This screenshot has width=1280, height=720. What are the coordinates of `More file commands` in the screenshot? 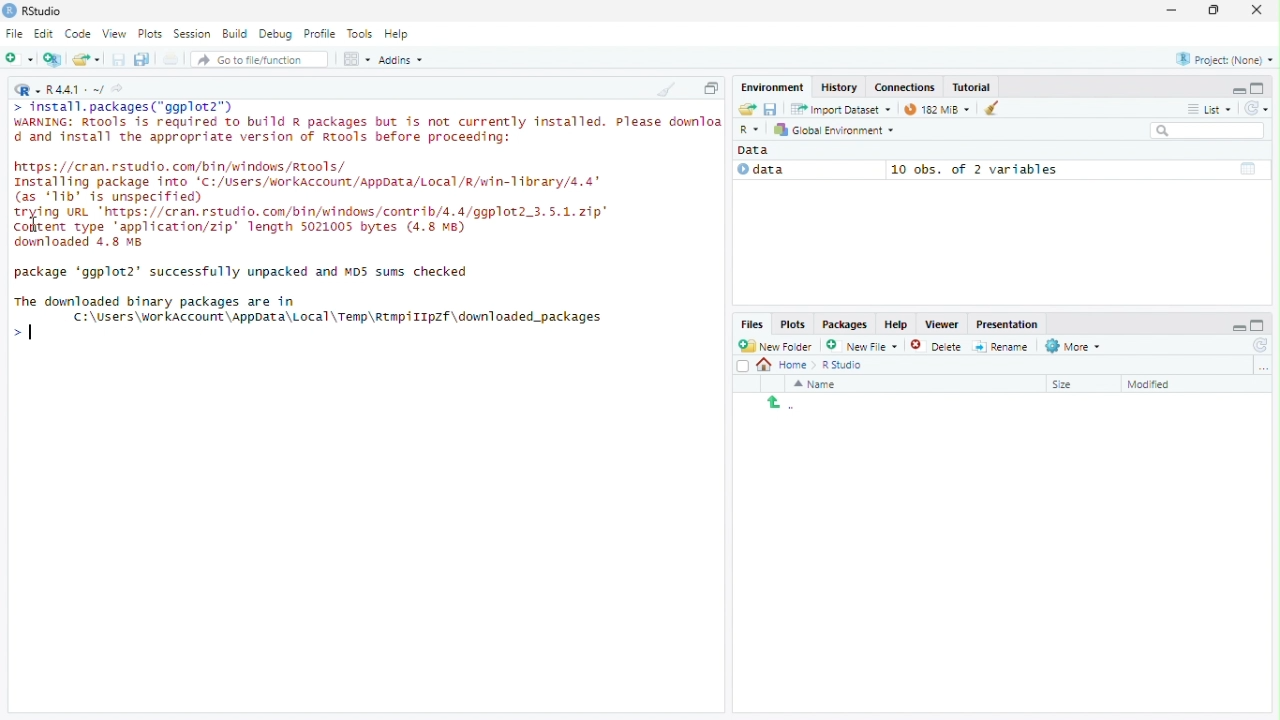 It's located at (1073, 346).